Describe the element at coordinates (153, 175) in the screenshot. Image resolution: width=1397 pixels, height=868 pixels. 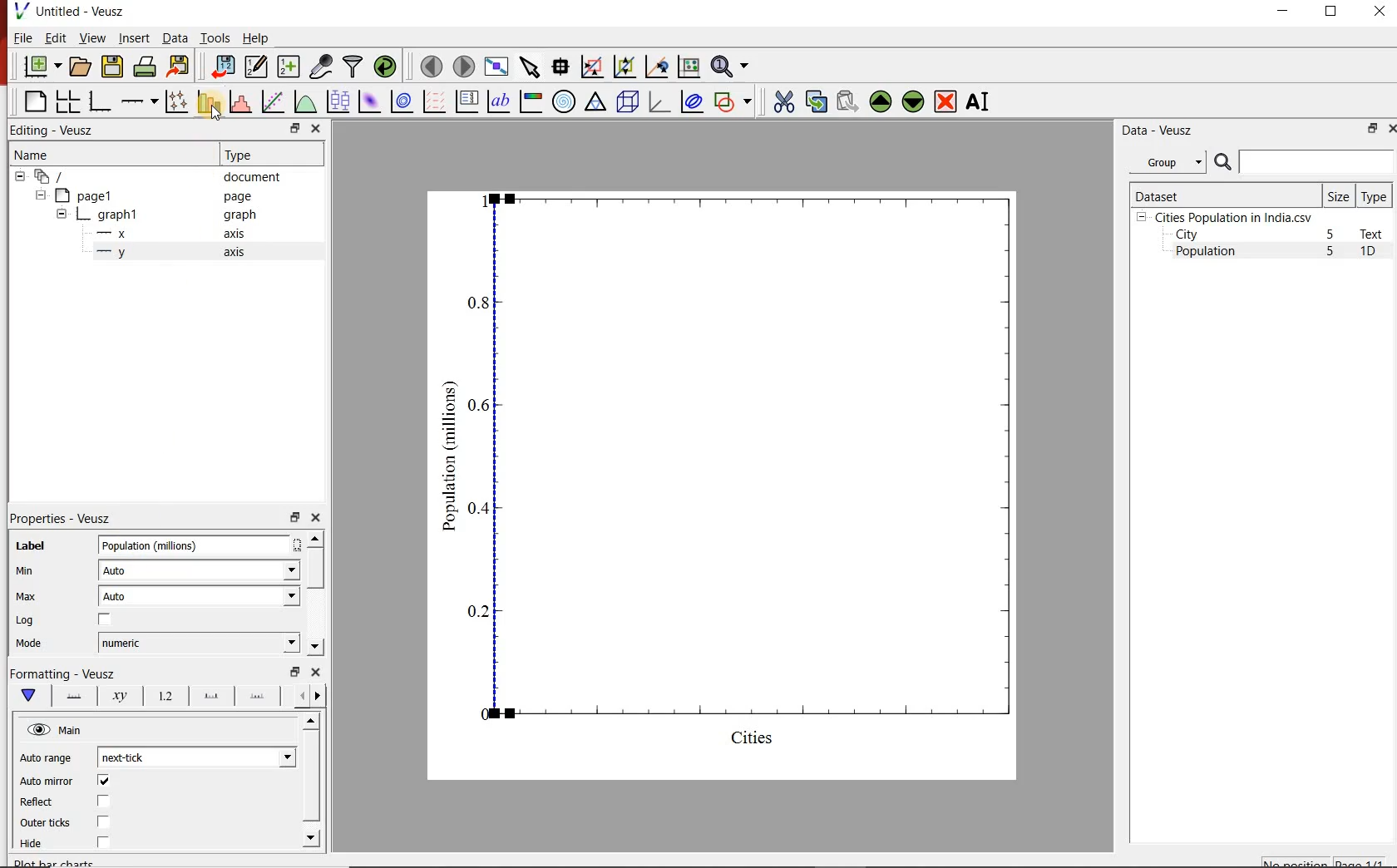
I see `document` at that location.